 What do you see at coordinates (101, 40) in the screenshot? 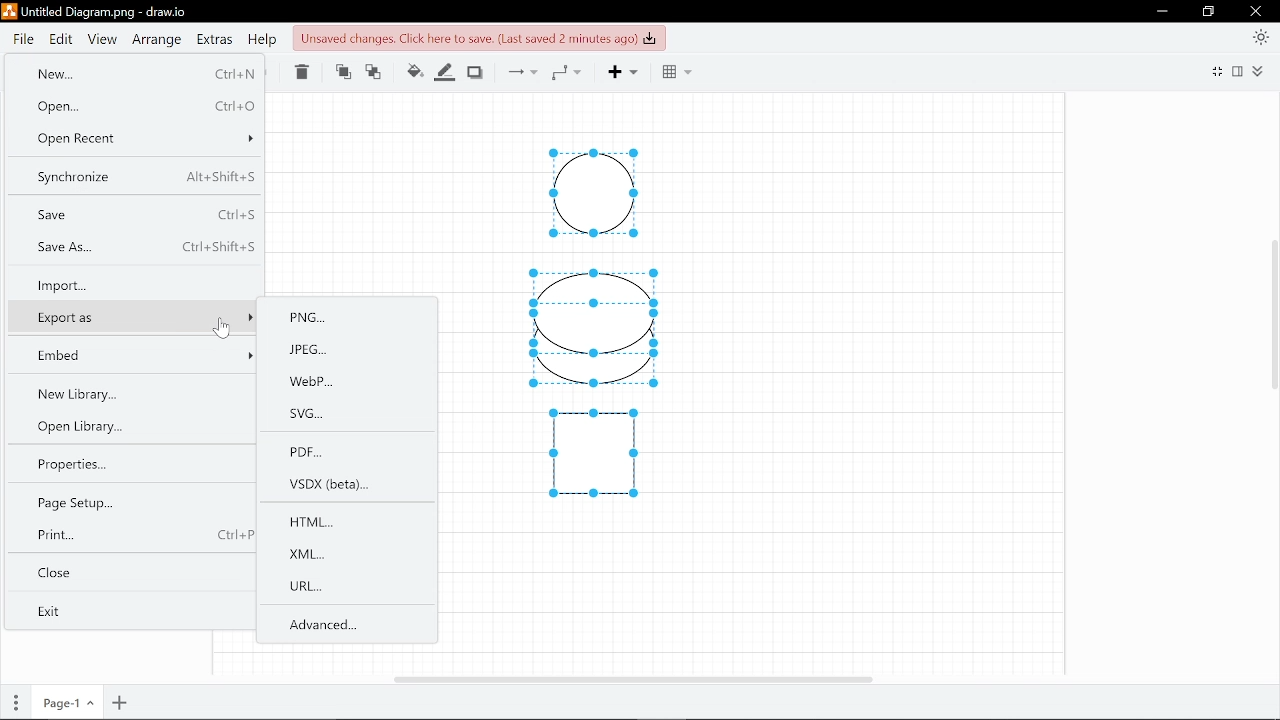
I see `View` at bounding box center [101, 40].